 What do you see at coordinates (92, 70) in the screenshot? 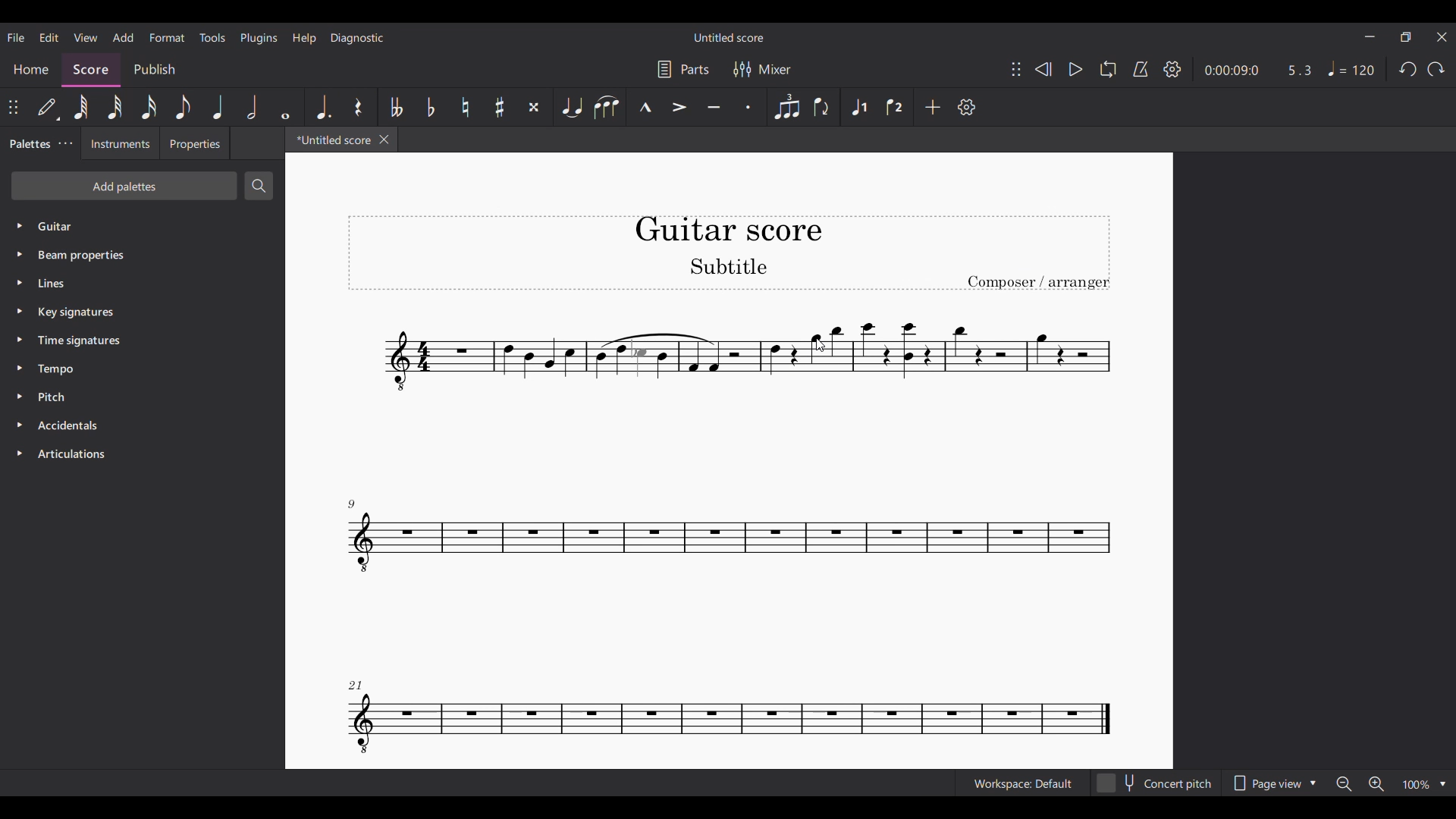
I see `Score` at bounding box center [92, 70].